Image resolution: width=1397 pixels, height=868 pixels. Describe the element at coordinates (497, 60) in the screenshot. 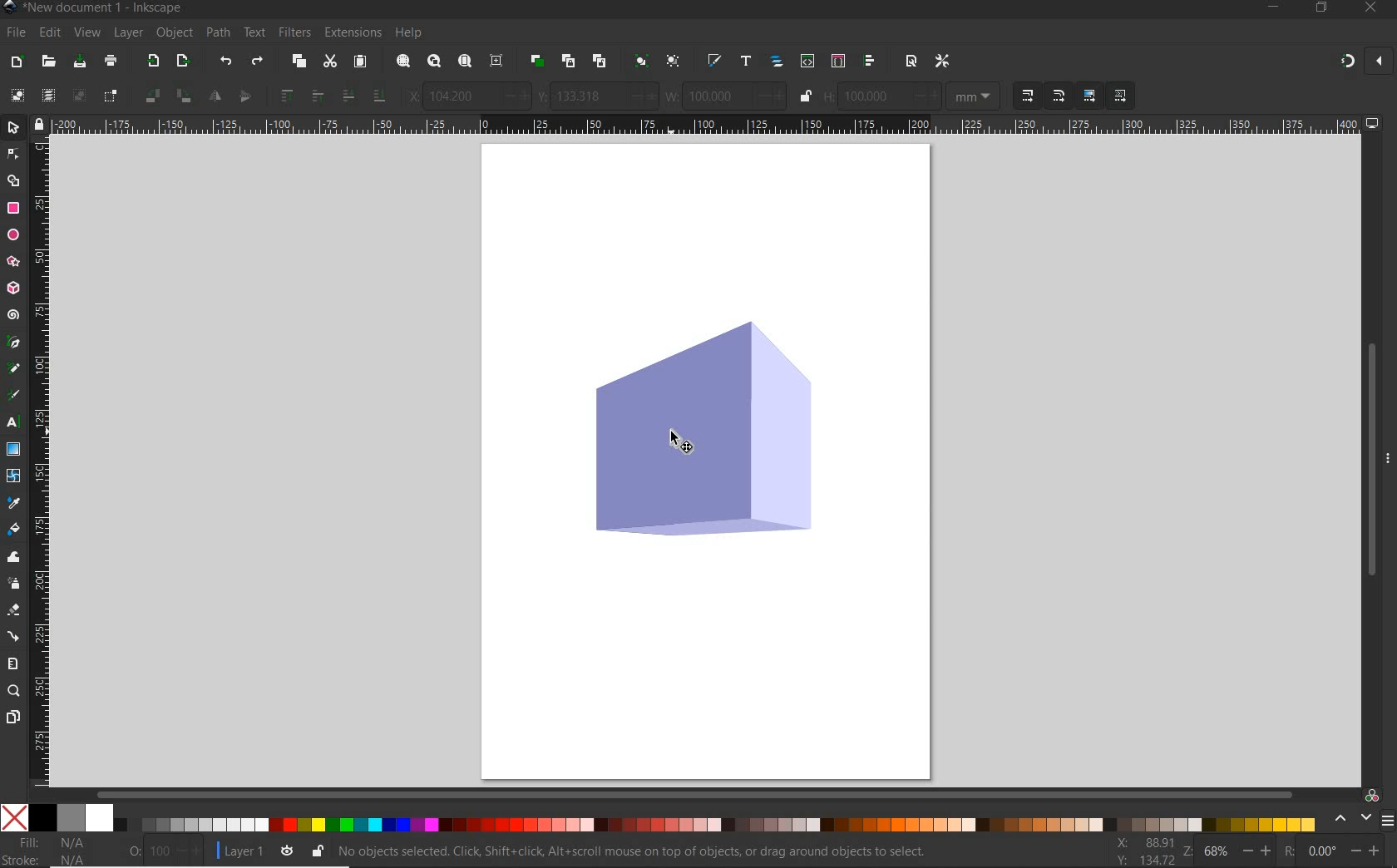

I see `ZOOM CENTER PAGE` at that location.